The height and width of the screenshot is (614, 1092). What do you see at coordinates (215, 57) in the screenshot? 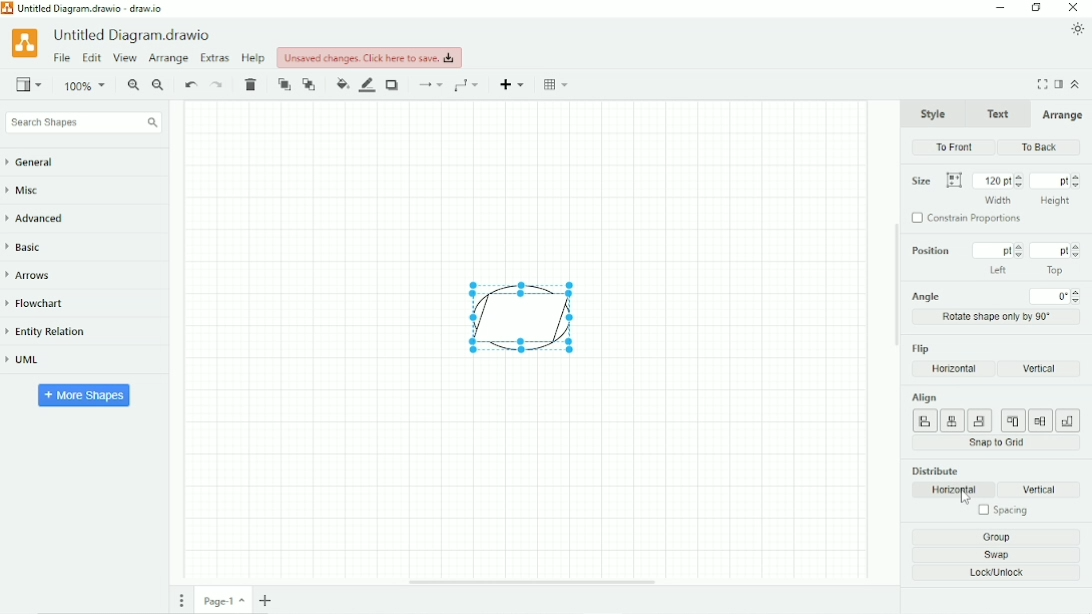
I see `Extras` at bounding box center [215, 57].